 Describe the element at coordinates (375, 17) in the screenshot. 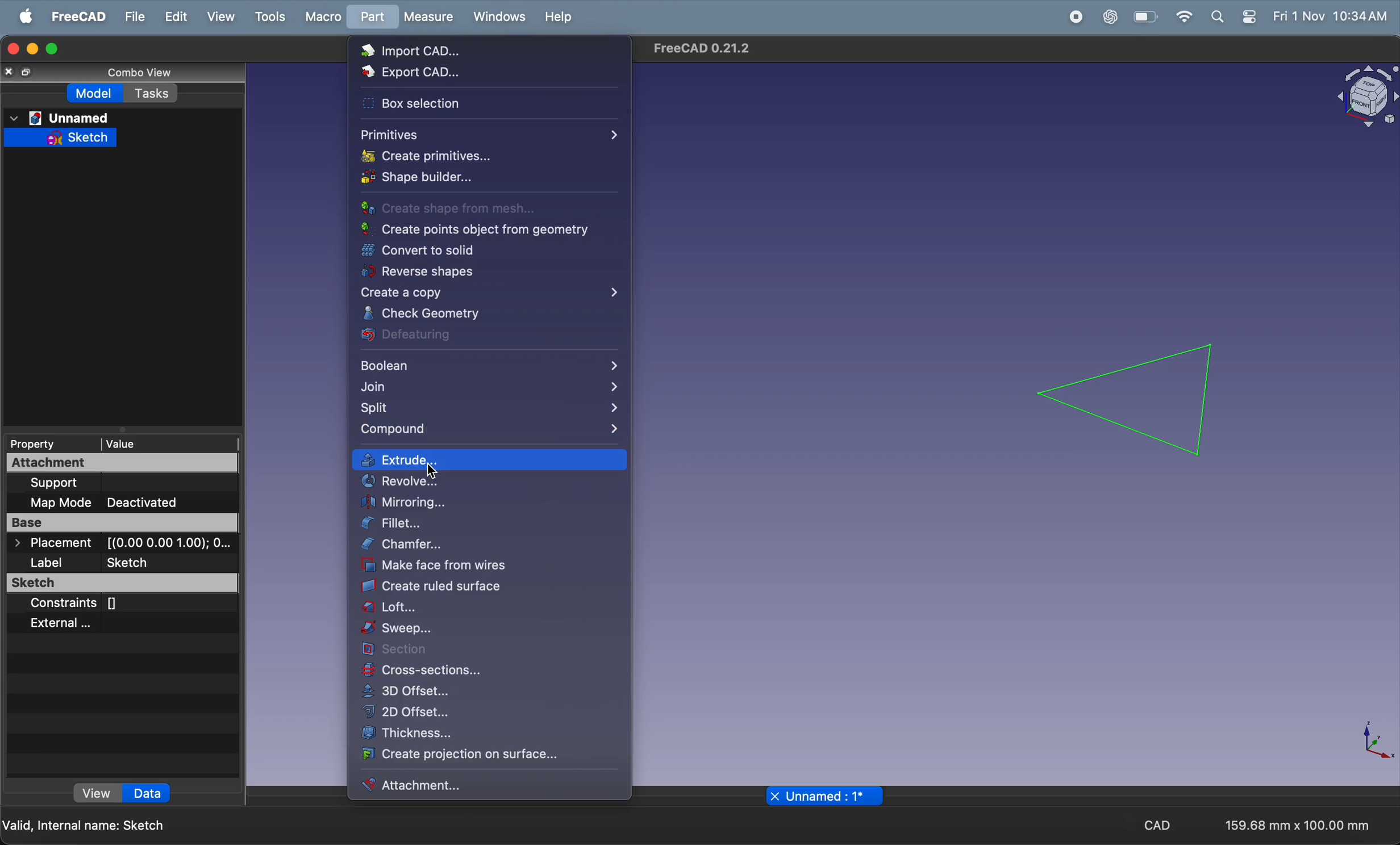

I see `part` at that location.